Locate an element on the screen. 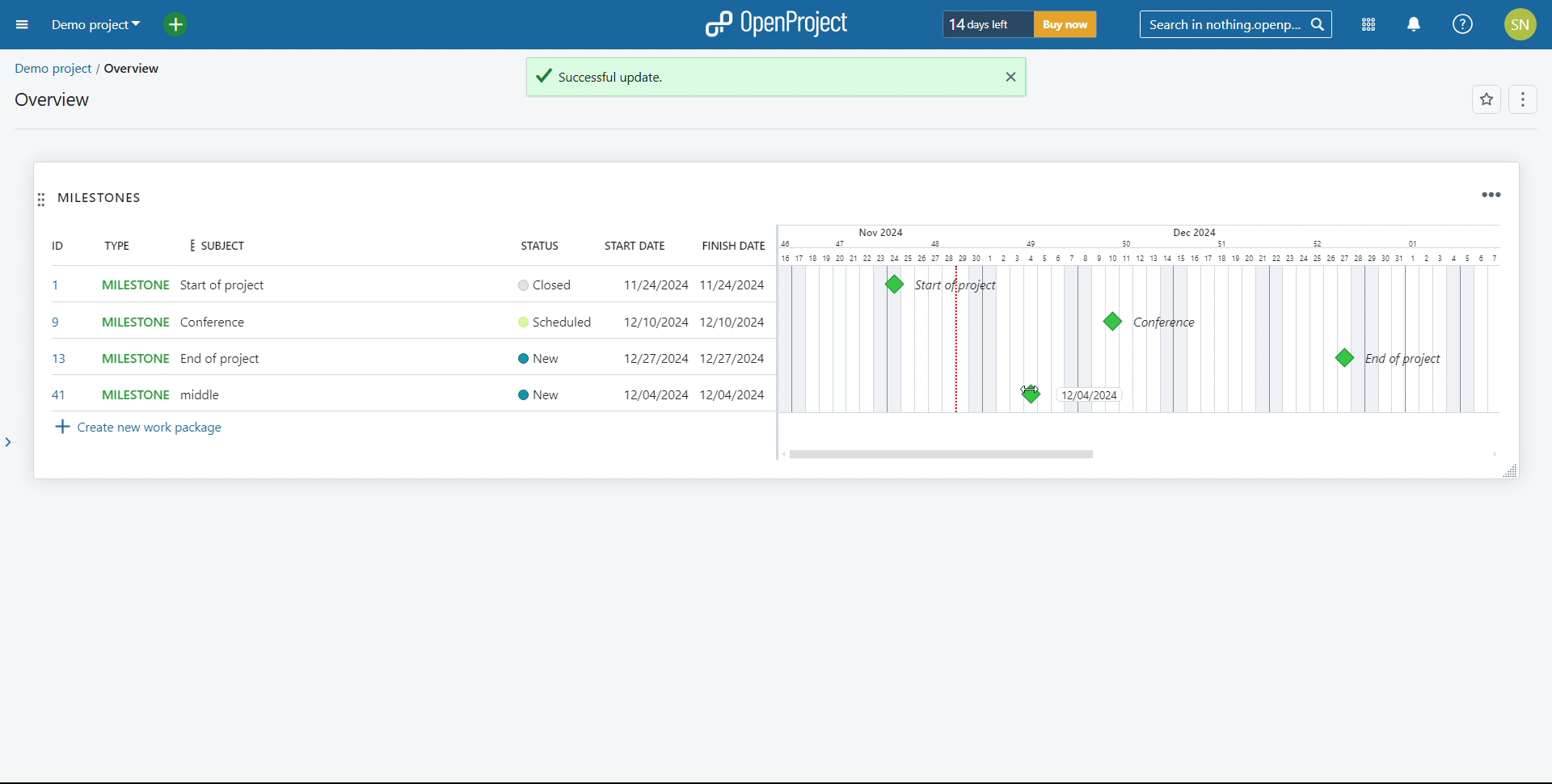 The height and width of the screenshot is (784, 1552). demo project/overview is located at coordinates (89, 69).